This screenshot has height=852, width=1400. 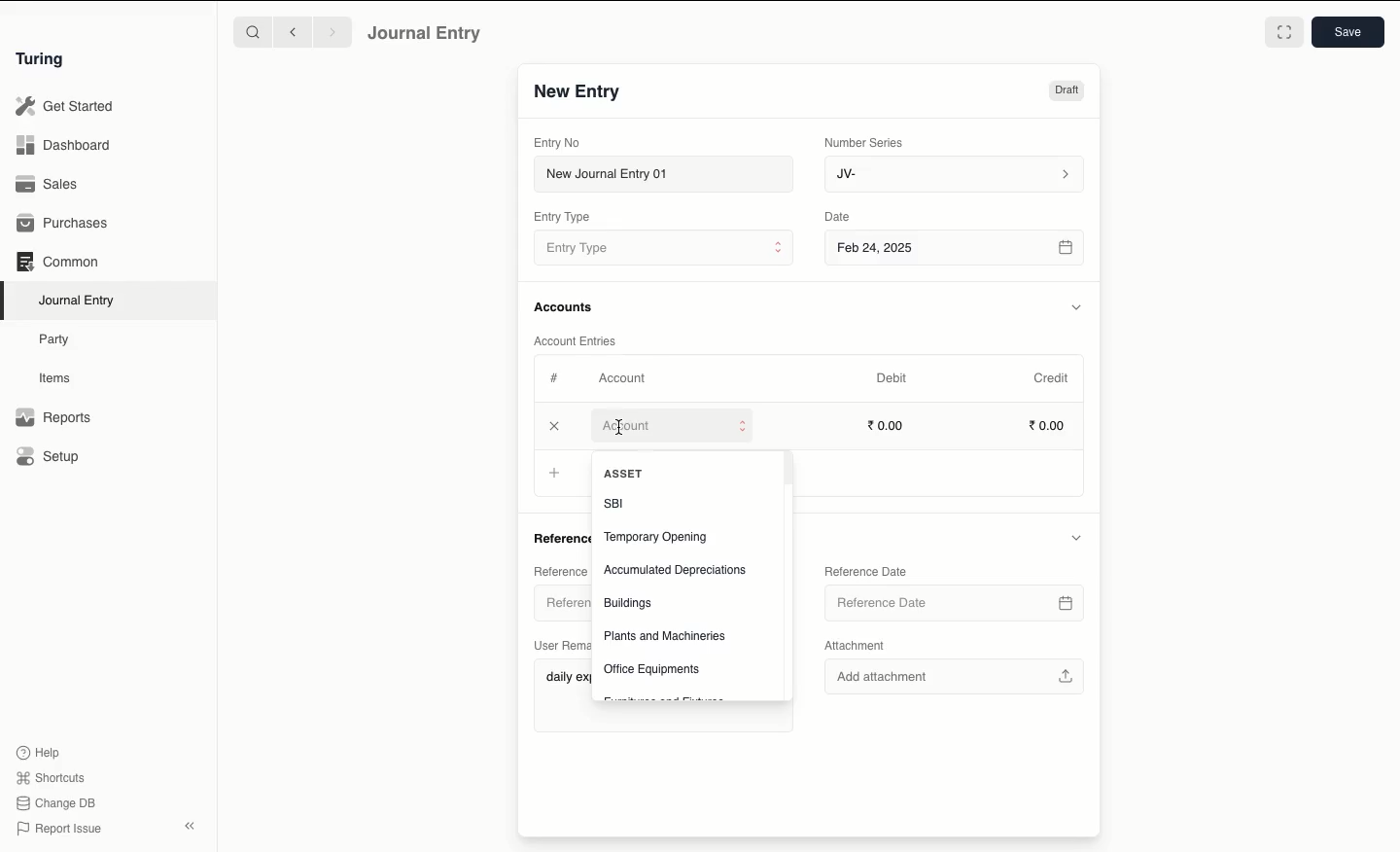 What do you see at coordinates (627, 603) in the screenshot?
I see `Buildings` at bounding box center [627, 603].